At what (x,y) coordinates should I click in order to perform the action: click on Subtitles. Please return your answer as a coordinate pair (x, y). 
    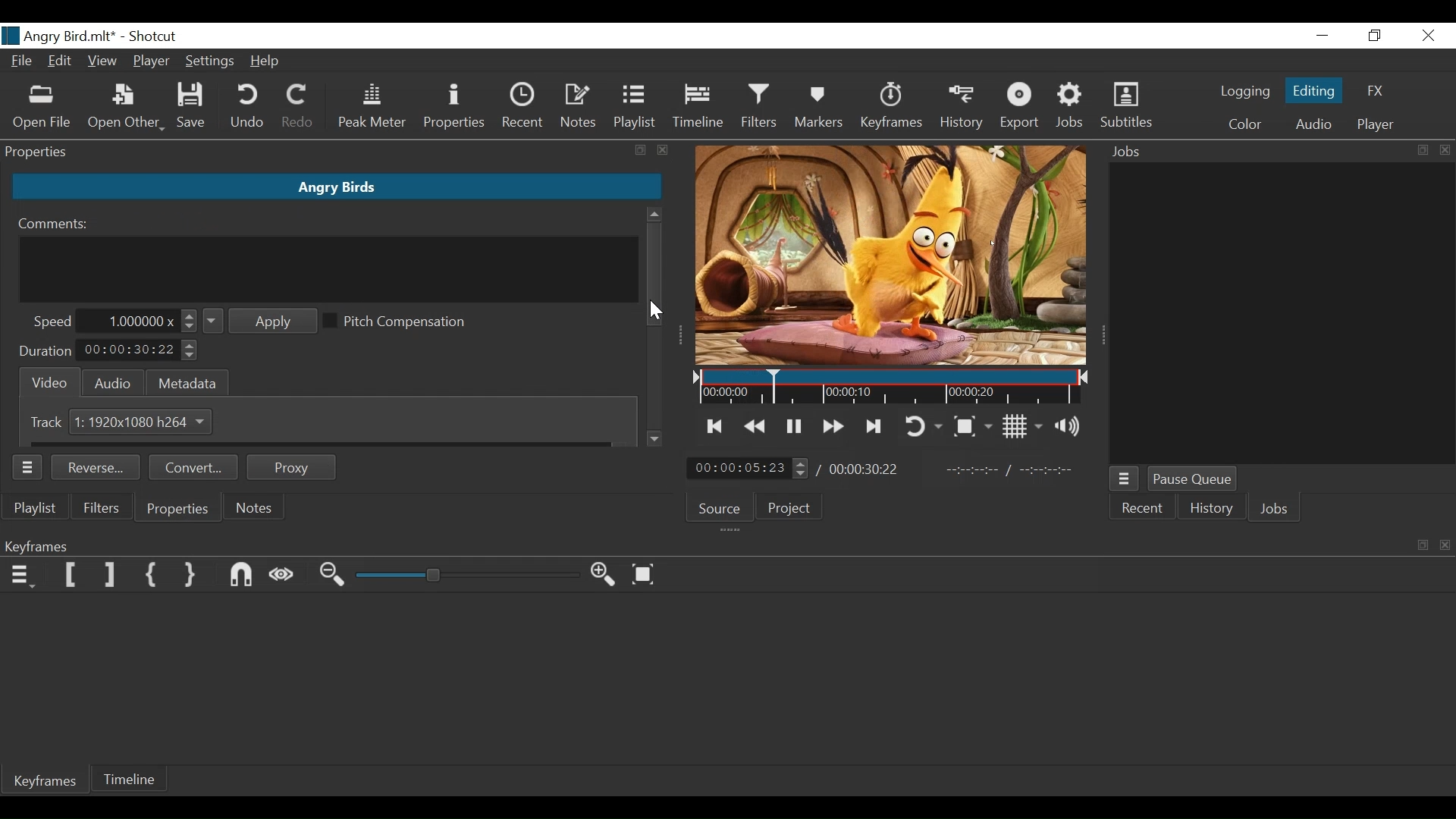
    Looking at the image, I should click on (1127, 108).